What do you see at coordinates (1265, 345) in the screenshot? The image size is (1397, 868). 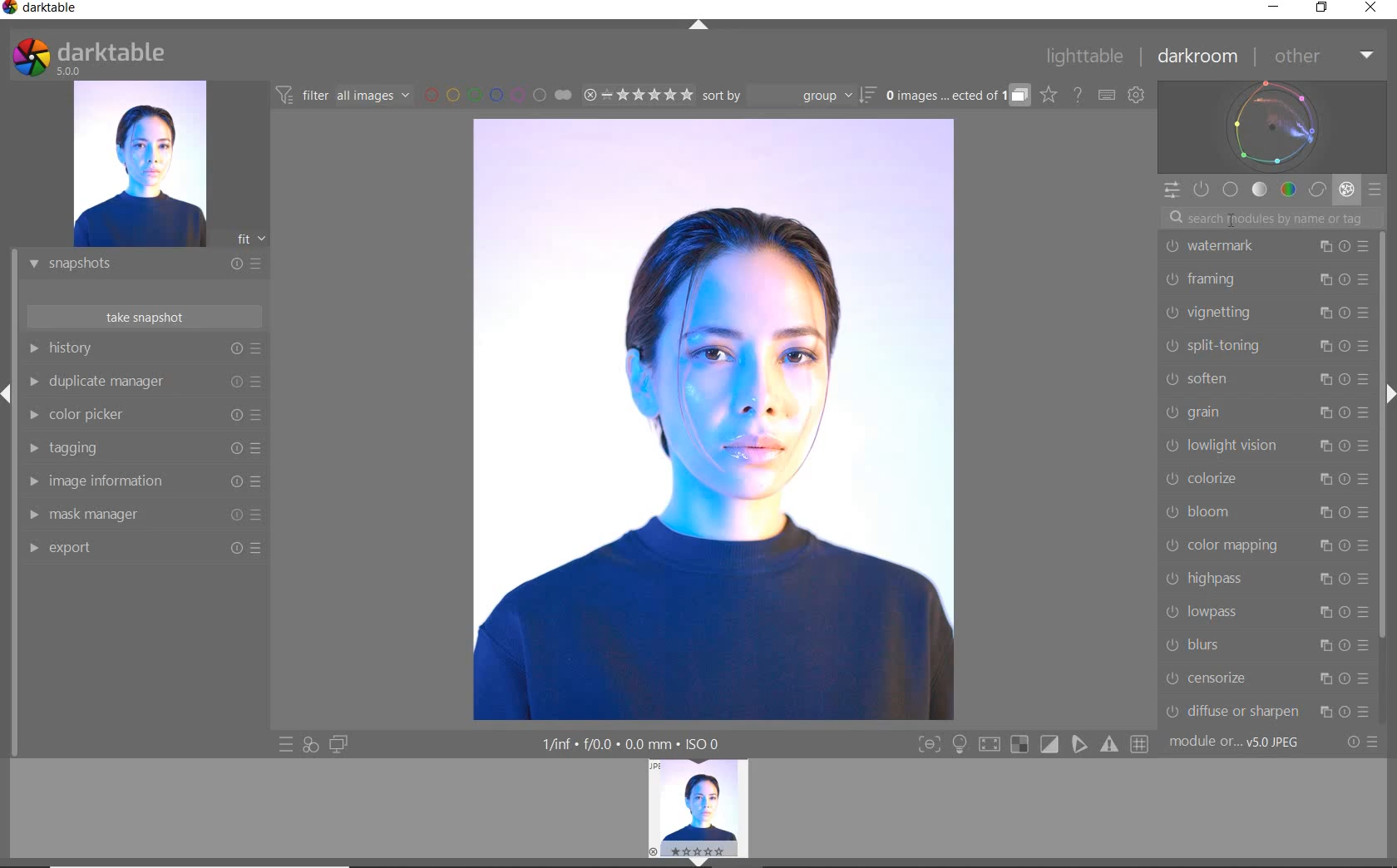 I see `SPLIT-TONING` at bounding box center [1265, 345].